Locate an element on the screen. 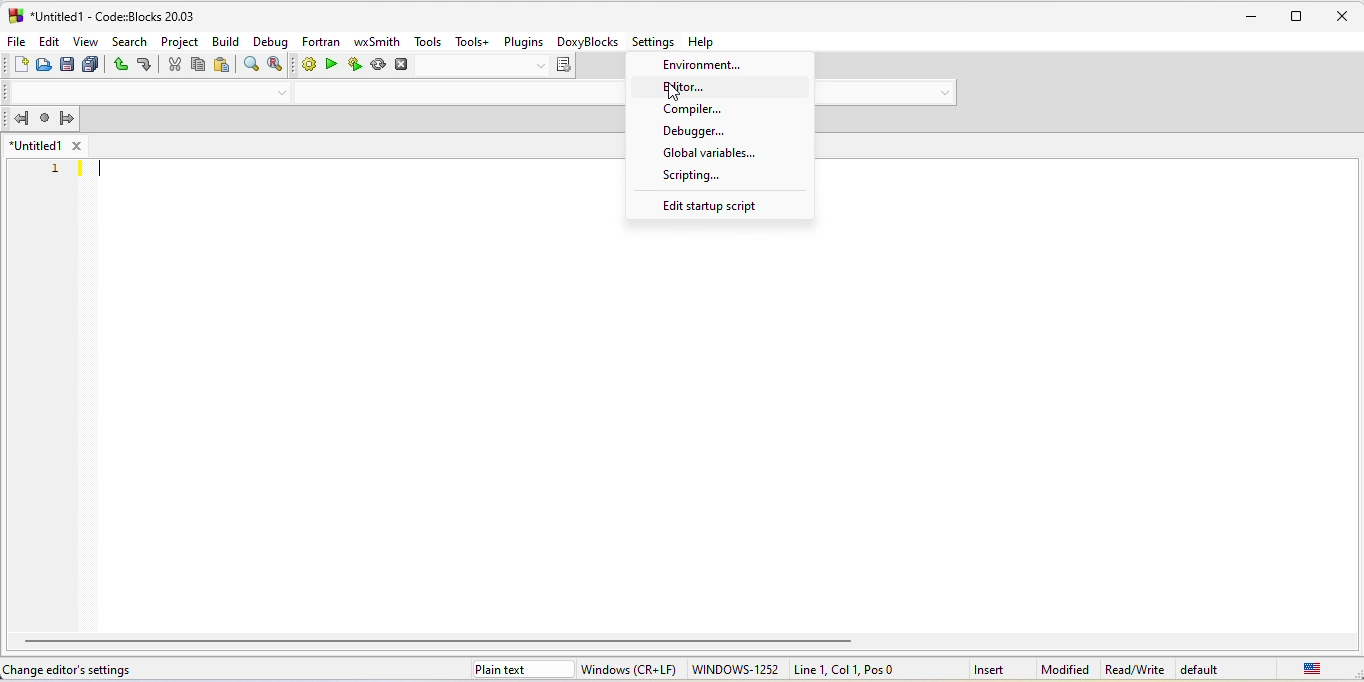 This screenshot has width=1364, height=682. united state is located at coordinates (1313, 668).